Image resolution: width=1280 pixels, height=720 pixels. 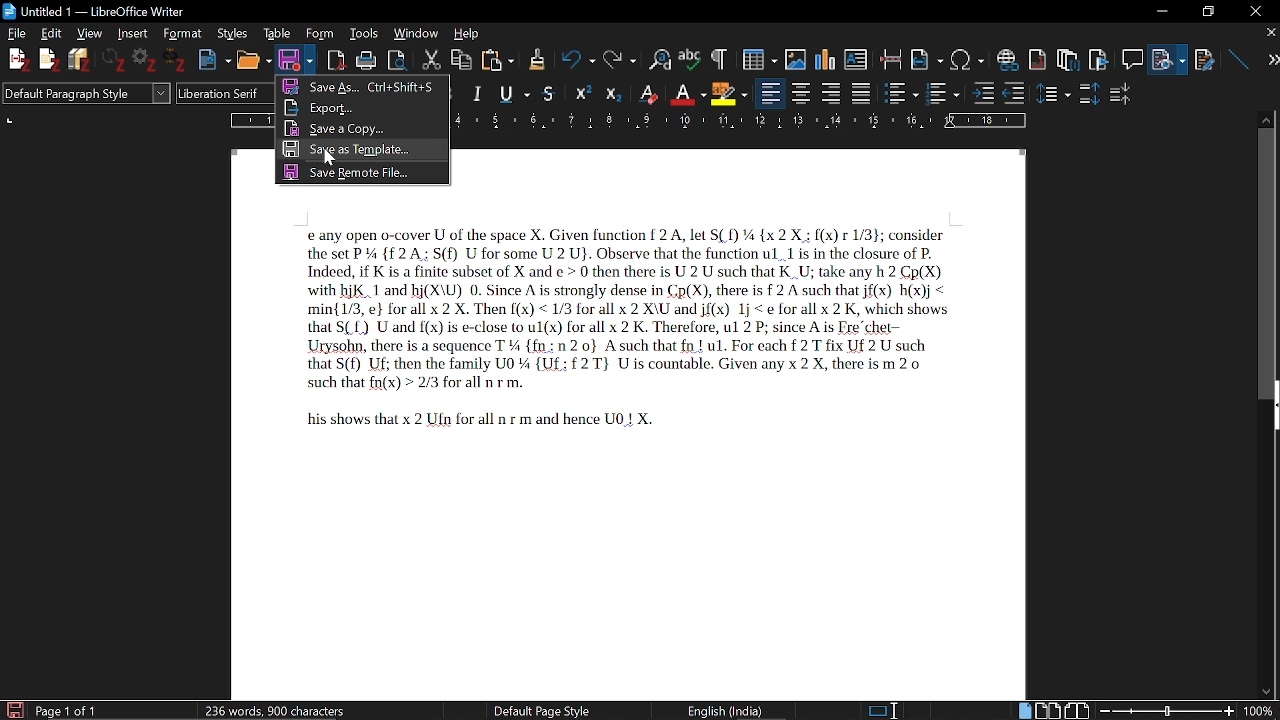 I want to click on Toggle print preview, so click(x=402, y=58).